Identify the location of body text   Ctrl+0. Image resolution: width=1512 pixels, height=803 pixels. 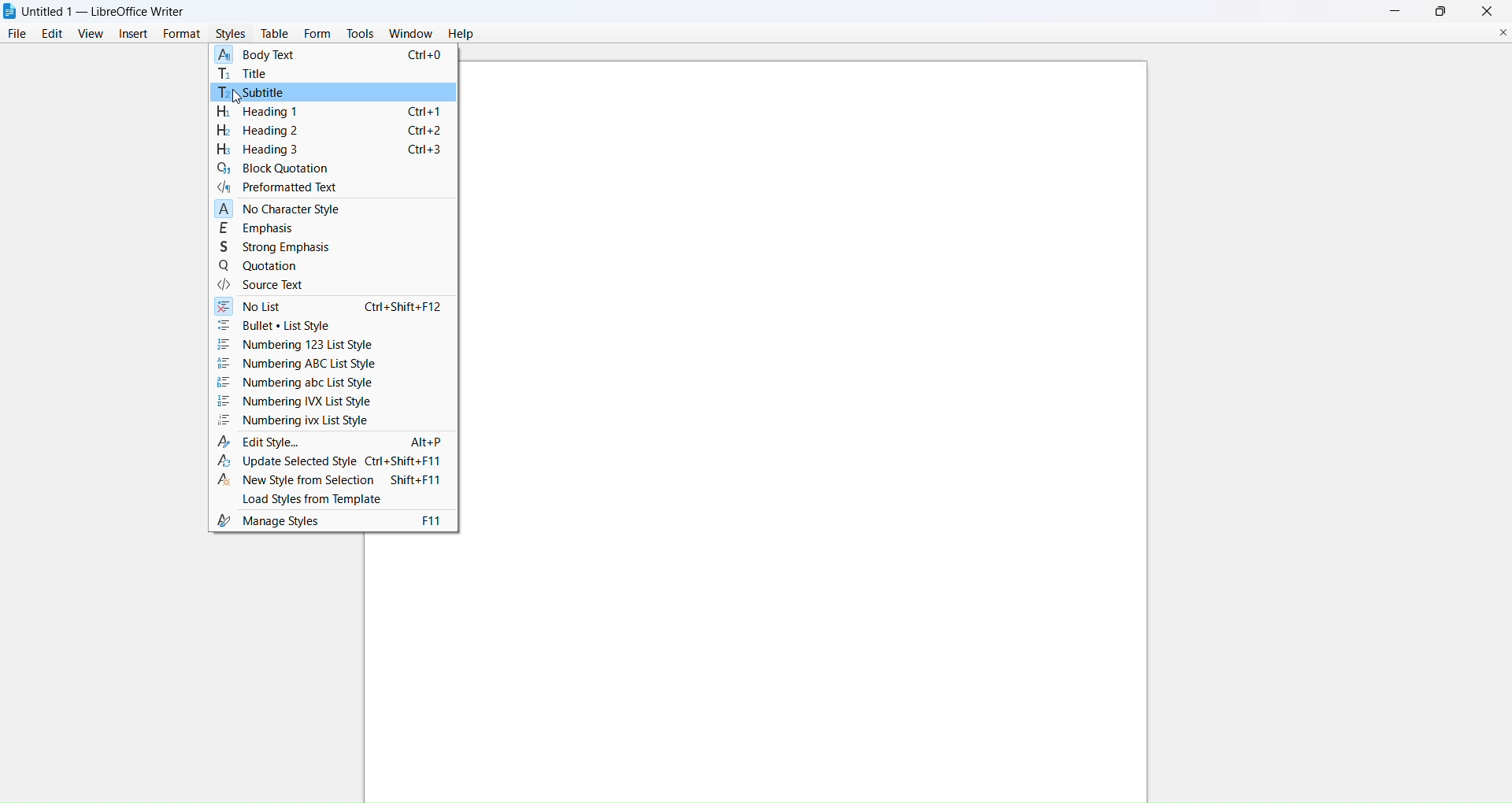
(331, 55).